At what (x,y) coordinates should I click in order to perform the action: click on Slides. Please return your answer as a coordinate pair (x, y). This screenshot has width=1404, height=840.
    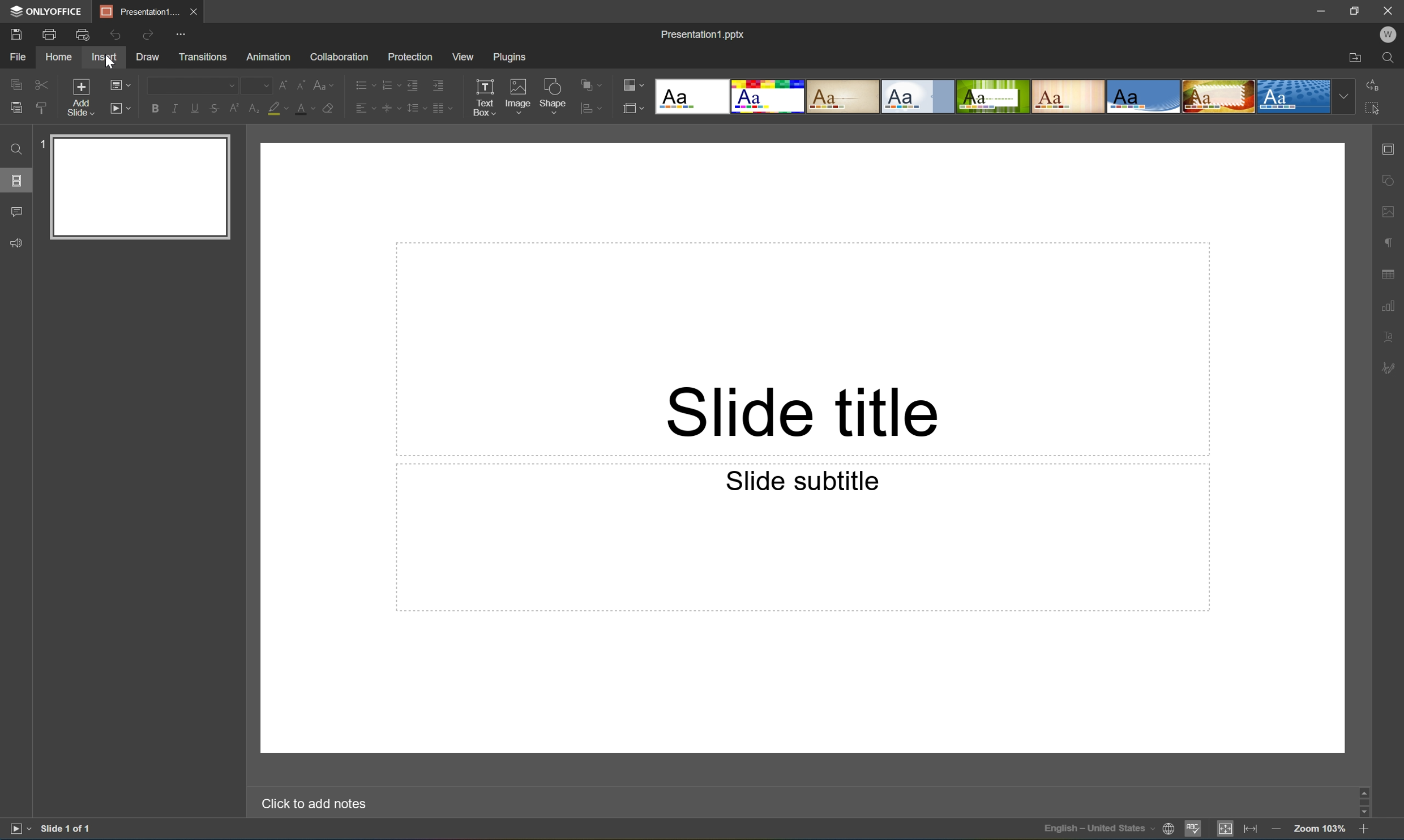
    Looking at the image, I should click on (16, 179).